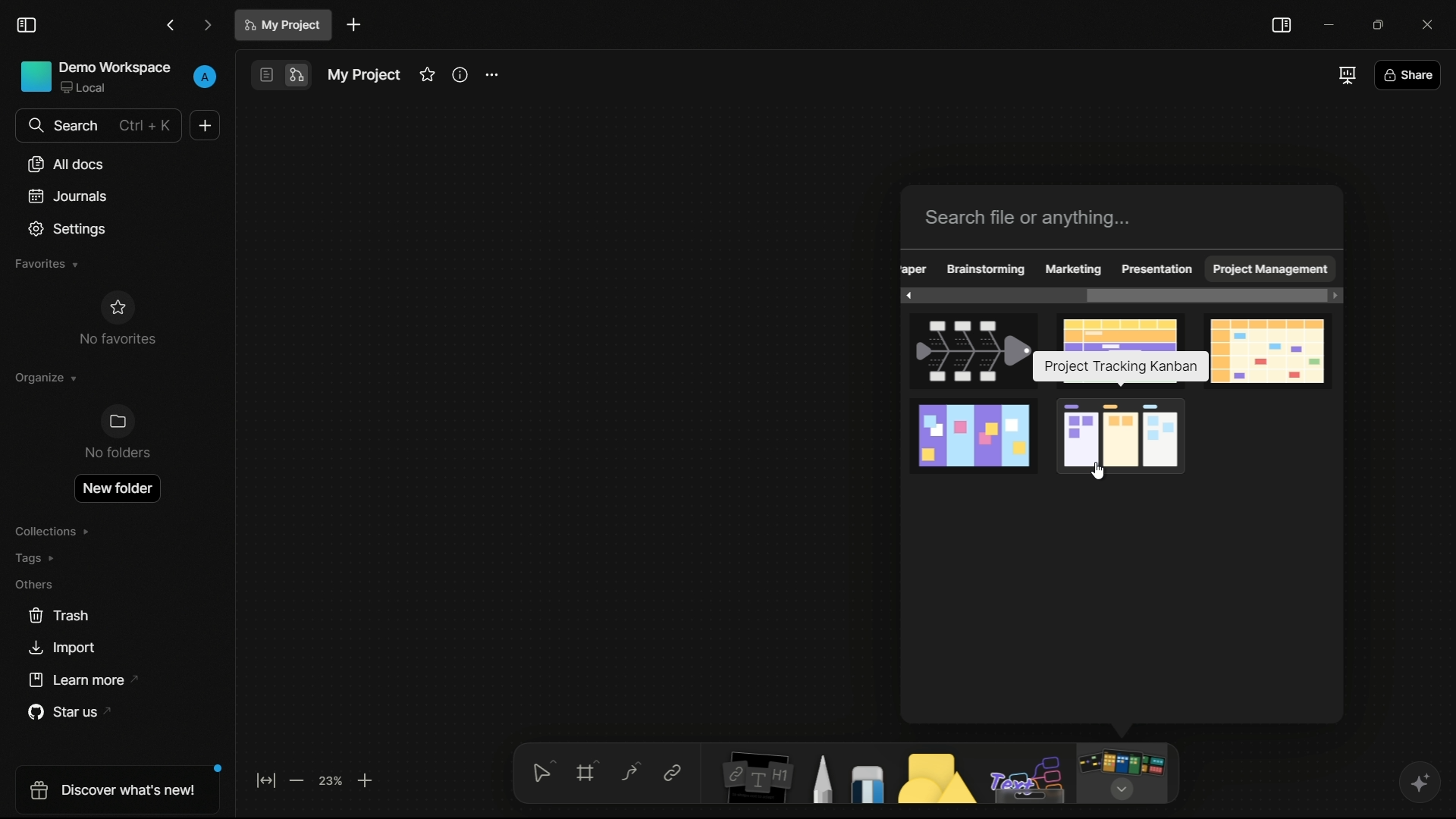 The image size is (1456, 819). Describe the element at coordinates (116, 432) in the screenshot. I see `no folders` at that location.